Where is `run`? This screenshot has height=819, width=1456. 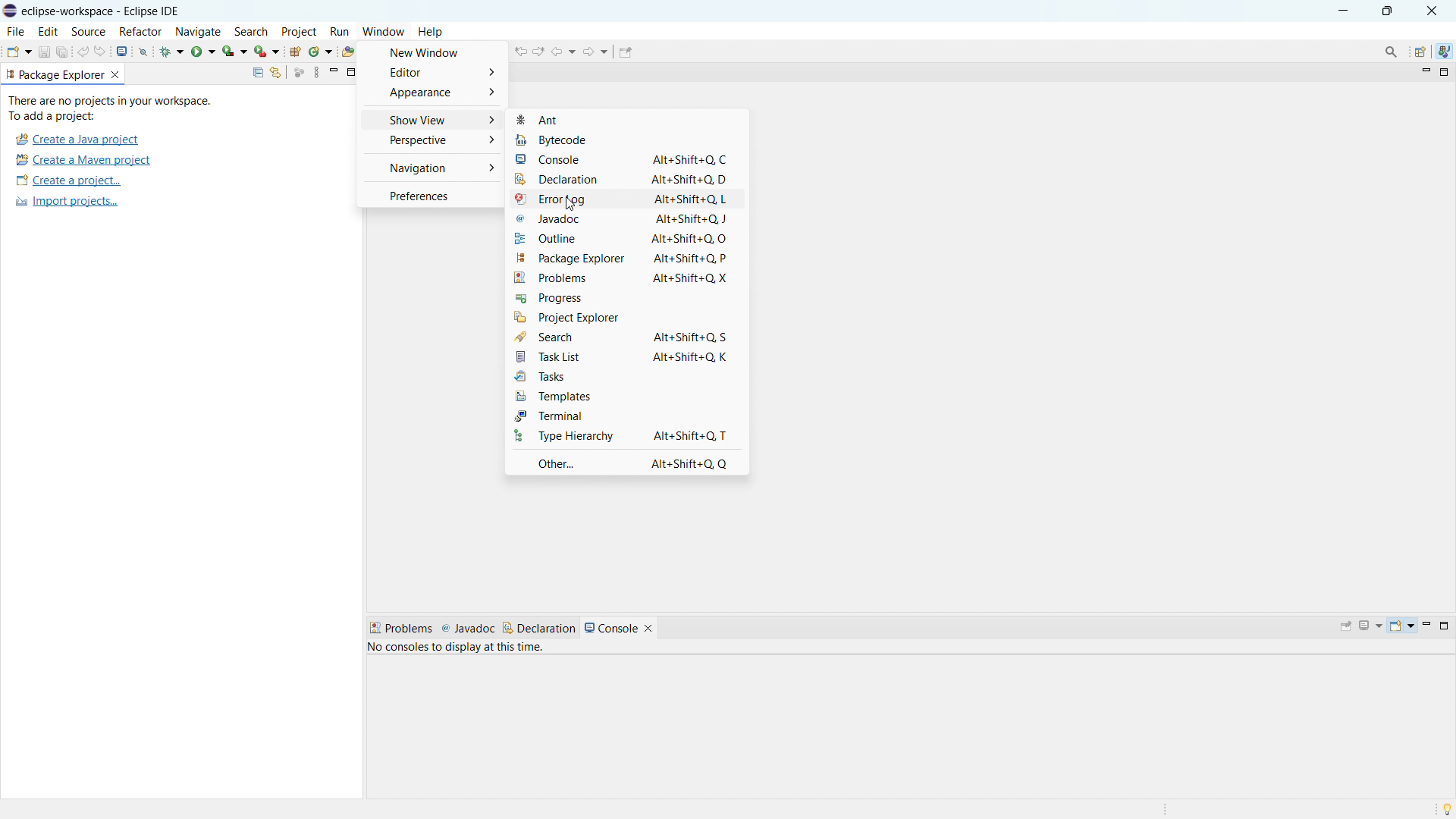
run is located at coordinates (203, 52).